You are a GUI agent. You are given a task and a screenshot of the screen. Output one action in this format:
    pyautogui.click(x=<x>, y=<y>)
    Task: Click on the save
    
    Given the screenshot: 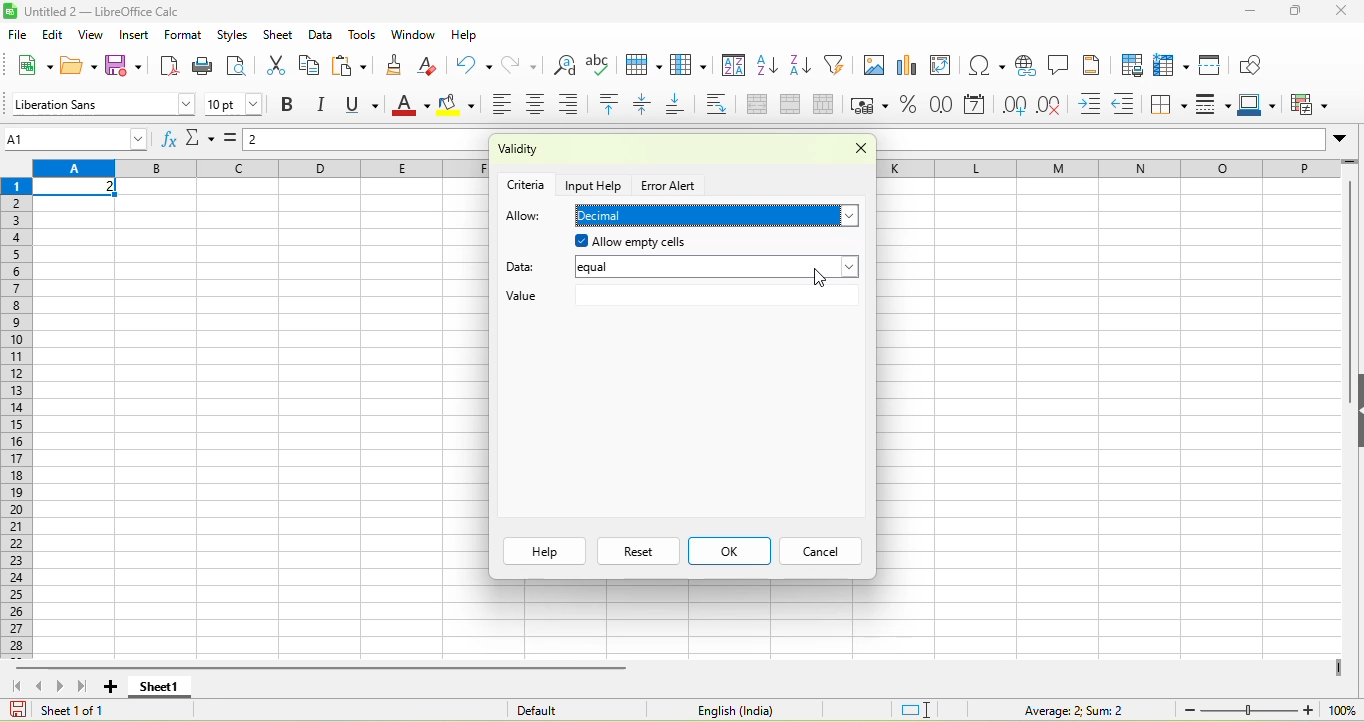 What is the action you would take?
    pyautogui.click(x=127, y=66)
    